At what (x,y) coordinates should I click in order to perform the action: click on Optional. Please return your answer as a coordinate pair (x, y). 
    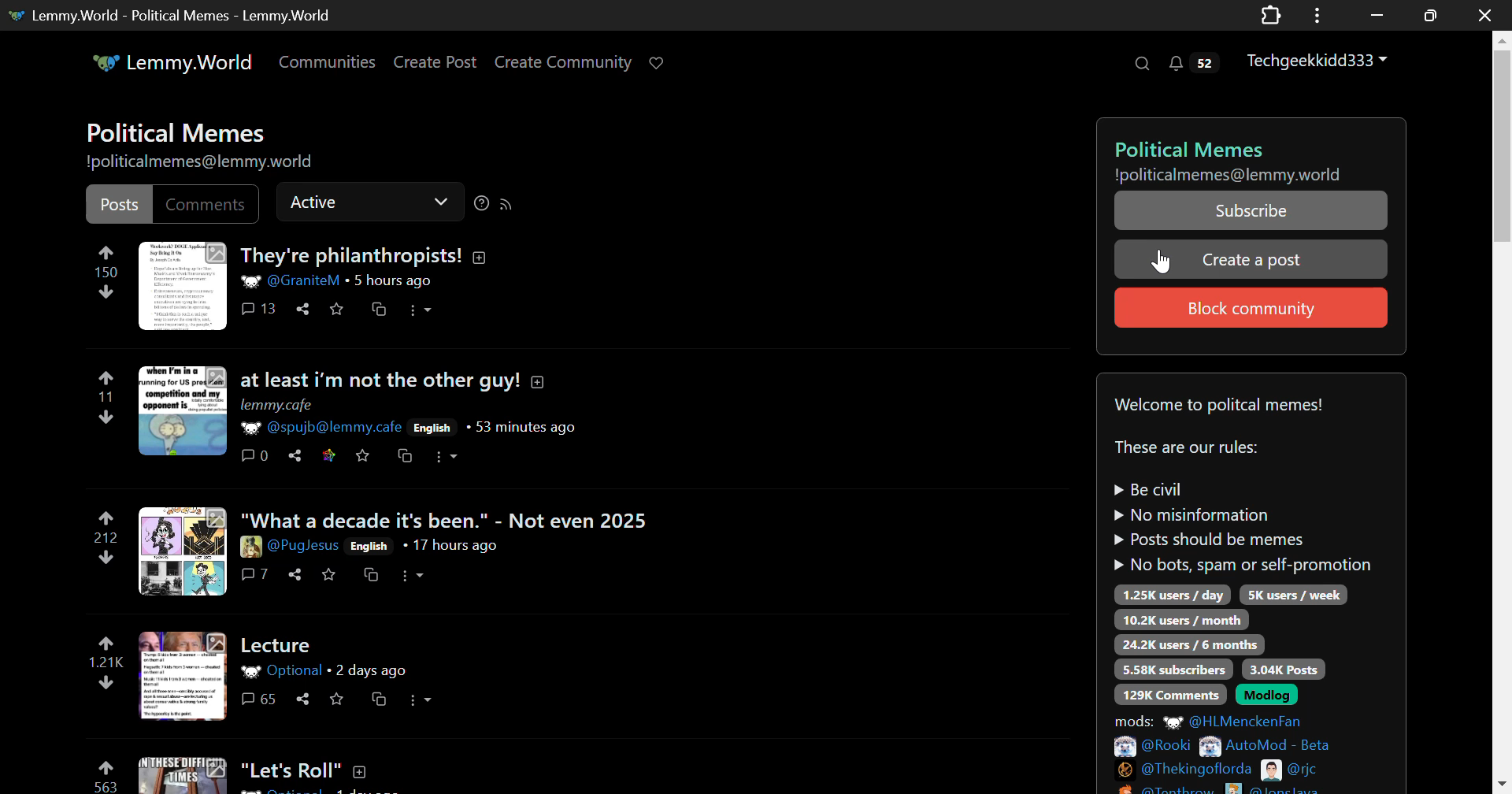
    Looking at the image, I should click on (284, 671).